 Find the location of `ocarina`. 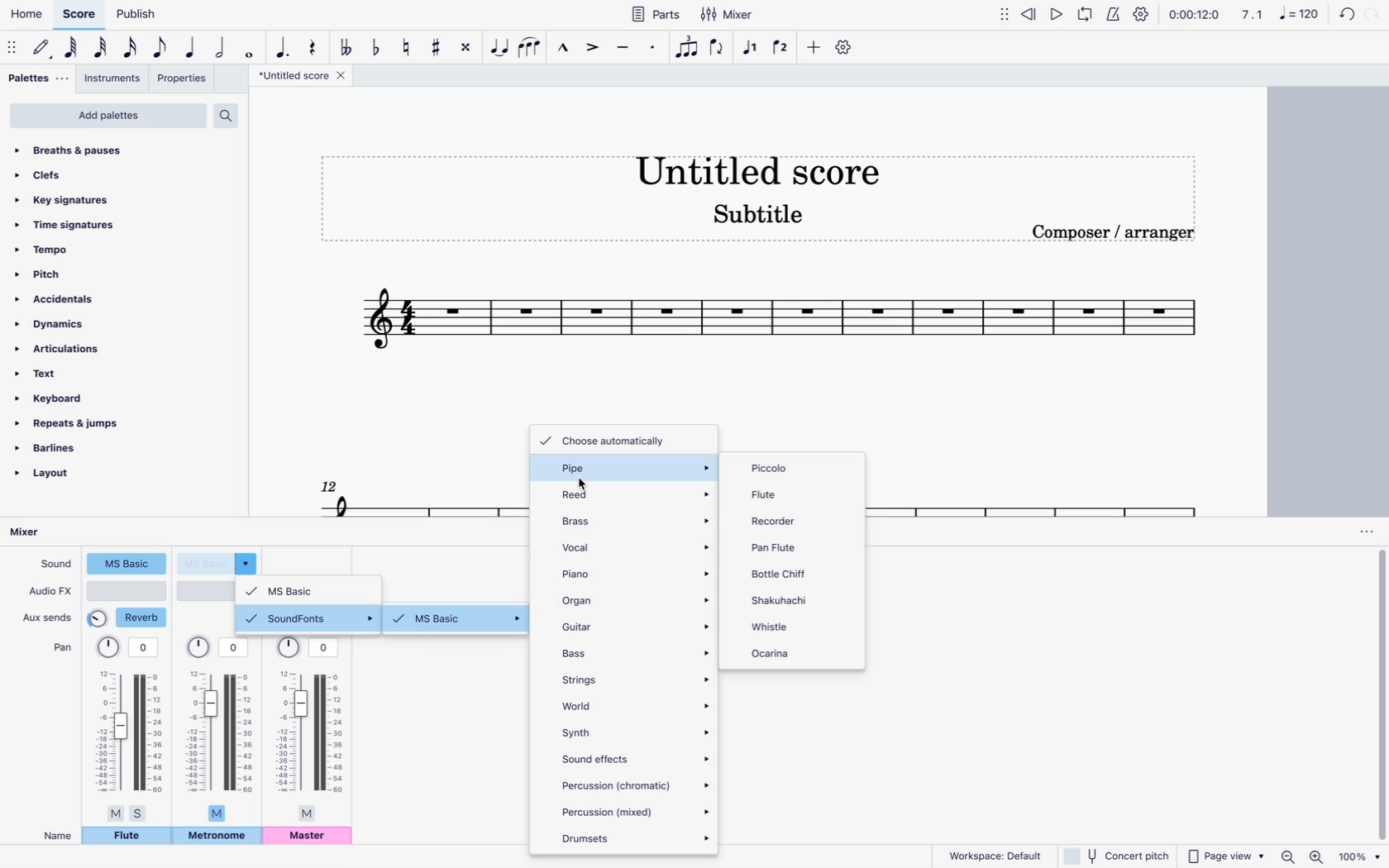

ocarina is located at coordinates (800, 654).